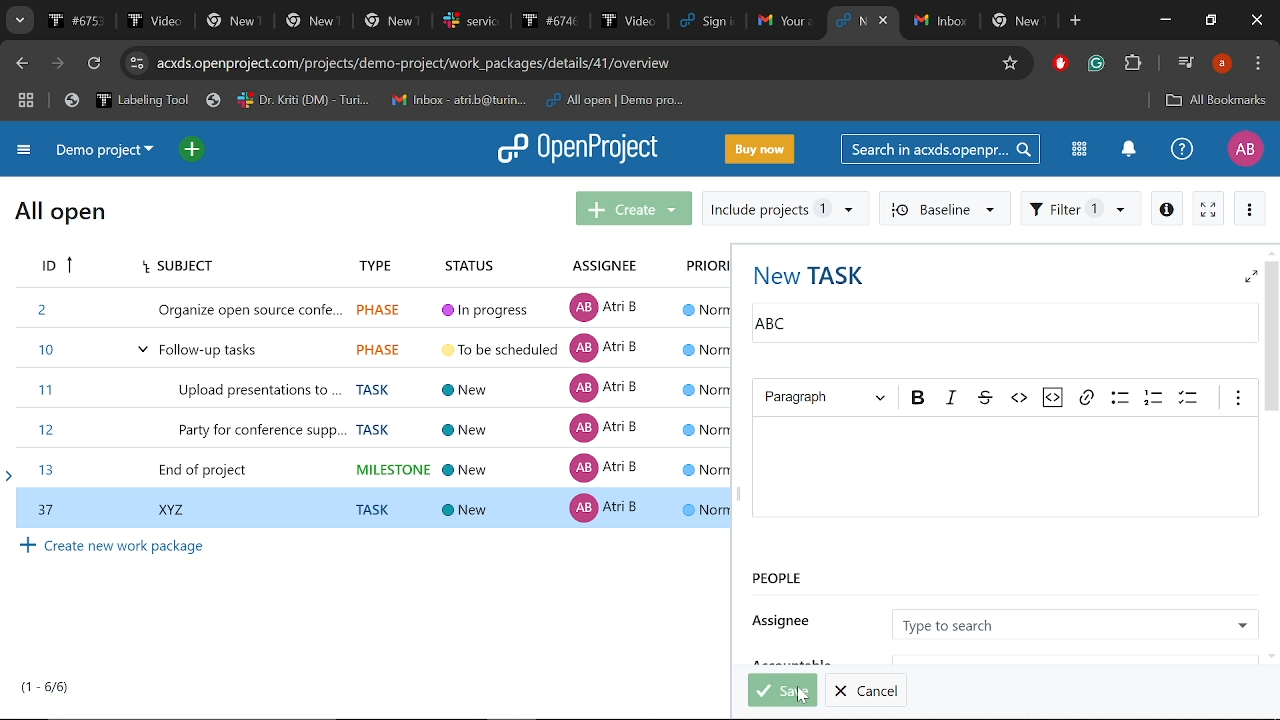 Image resolution: width=1280 pixels, height=720 pixels. I want to click on Save, so click(783, 690).